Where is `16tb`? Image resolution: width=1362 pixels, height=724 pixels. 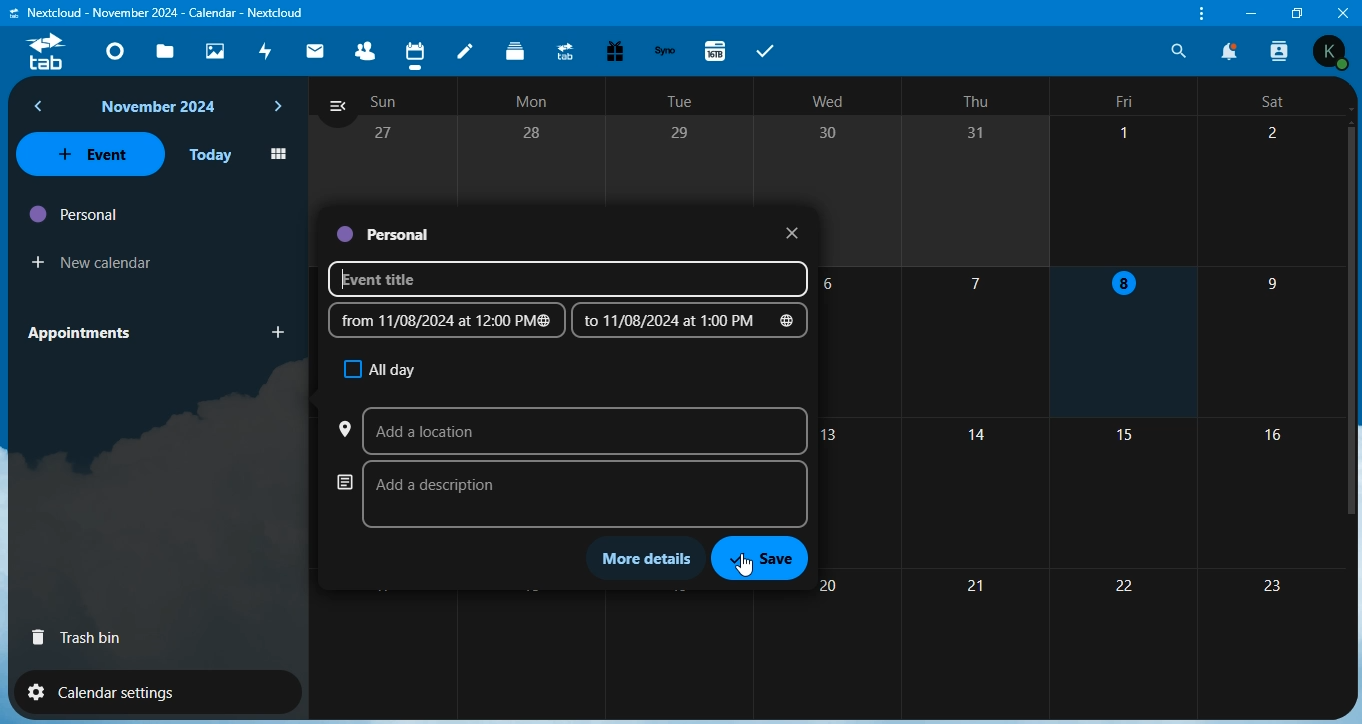 16tb is located at coordinates (721, 48).